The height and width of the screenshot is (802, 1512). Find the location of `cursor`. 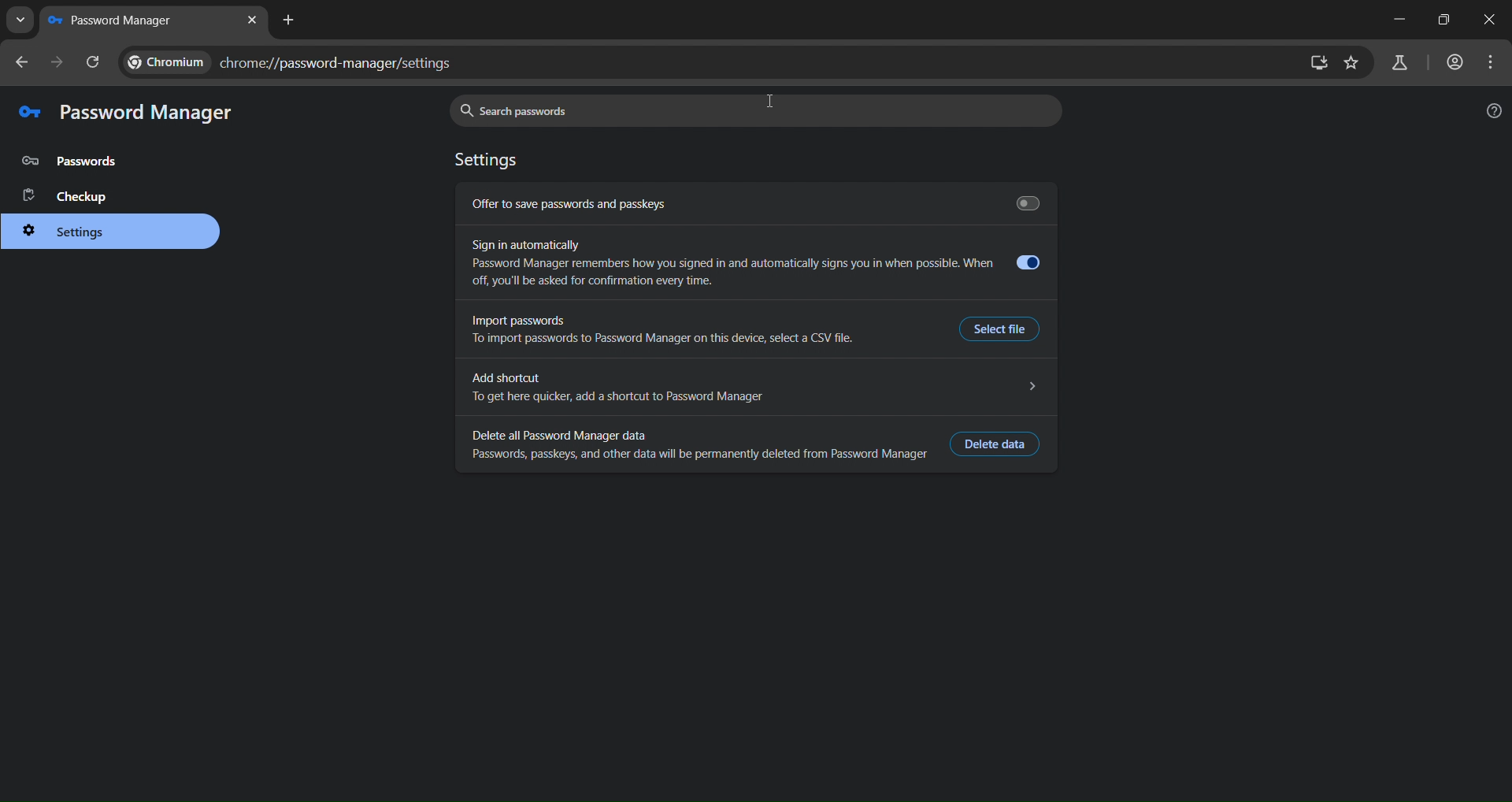

cursor is located at coordinates (775, 104).